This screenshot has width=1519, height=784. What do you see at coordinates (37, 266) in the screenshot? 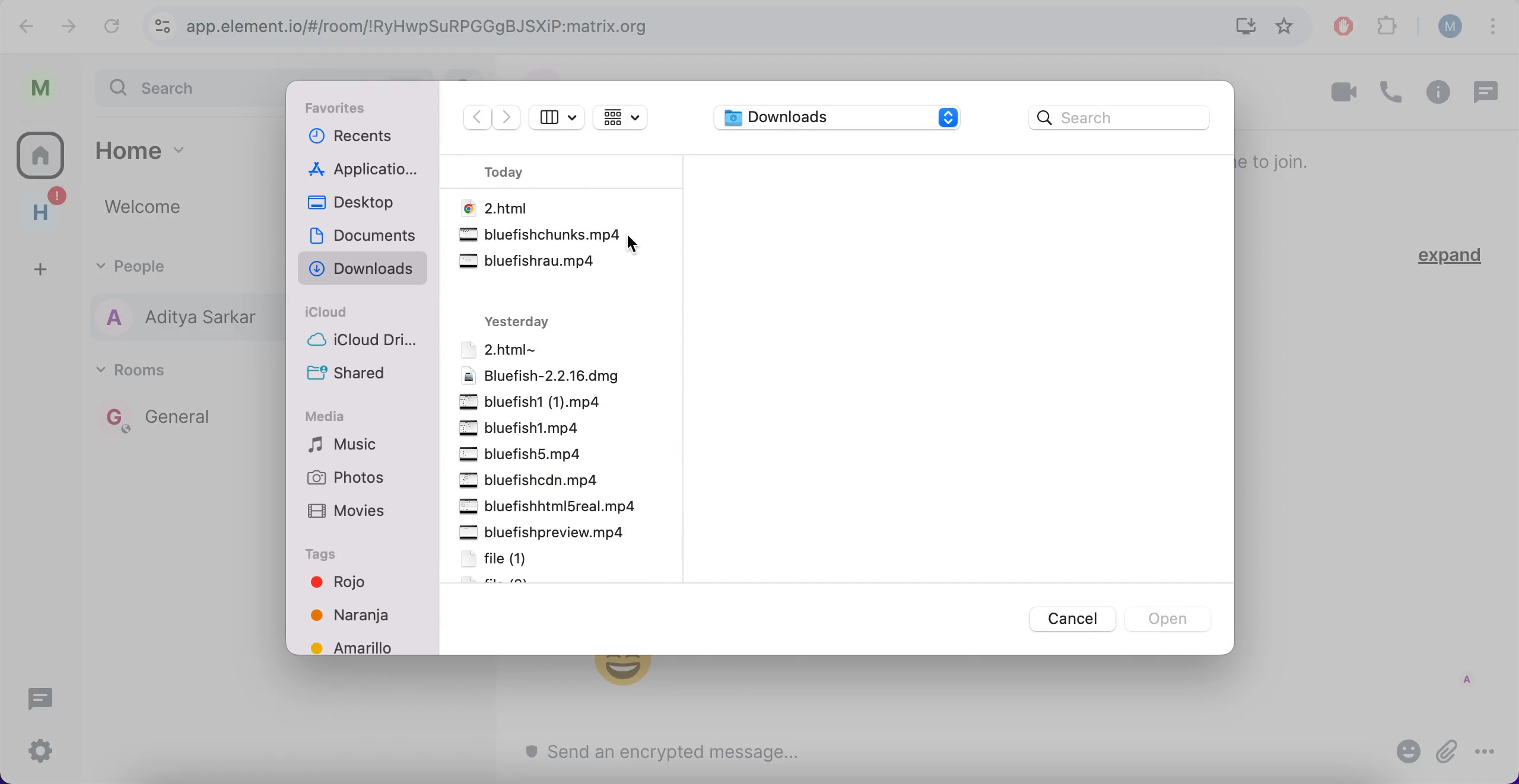
I see `create a space` at bounding box center [37, 266].